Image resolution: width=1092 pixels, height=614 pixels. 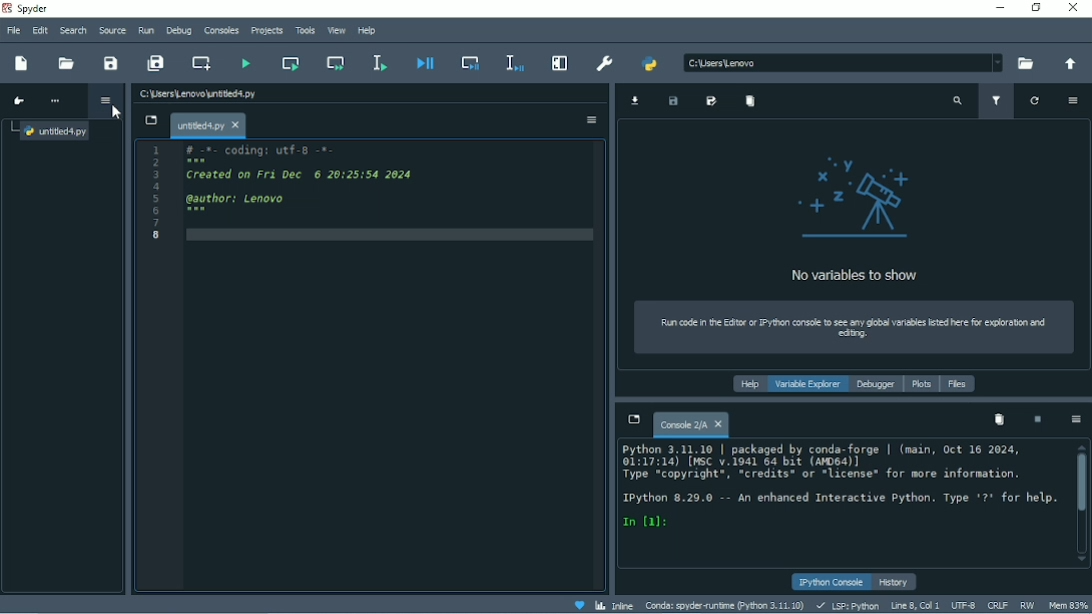 What do you see at coordinates (209, 124) in the screenshot?
I see `File name` at bounding box center [209, 124].